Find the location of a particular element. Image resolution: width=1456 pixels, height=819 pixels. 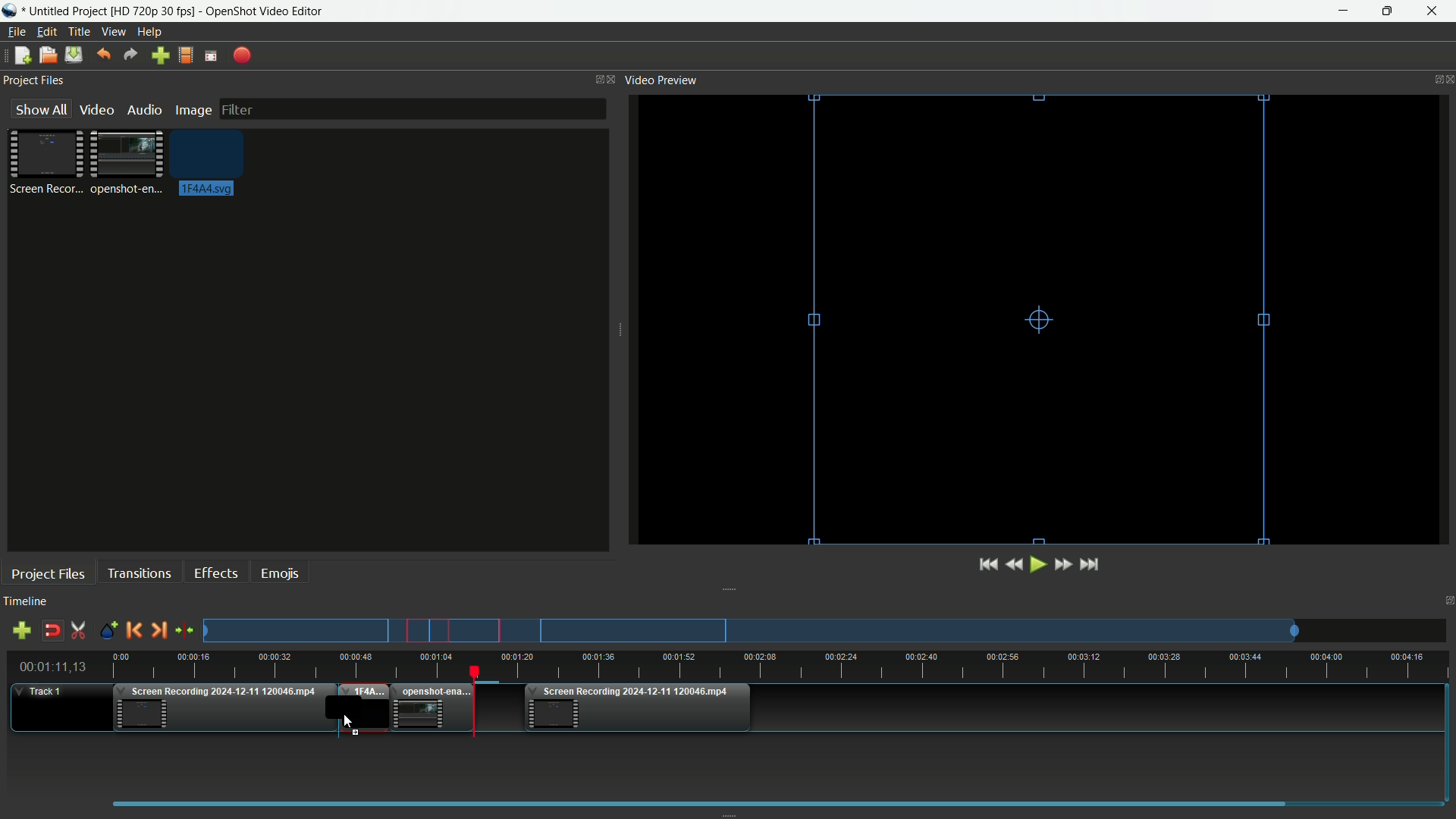

Video two in timeline is located at coordinates (431, 708).